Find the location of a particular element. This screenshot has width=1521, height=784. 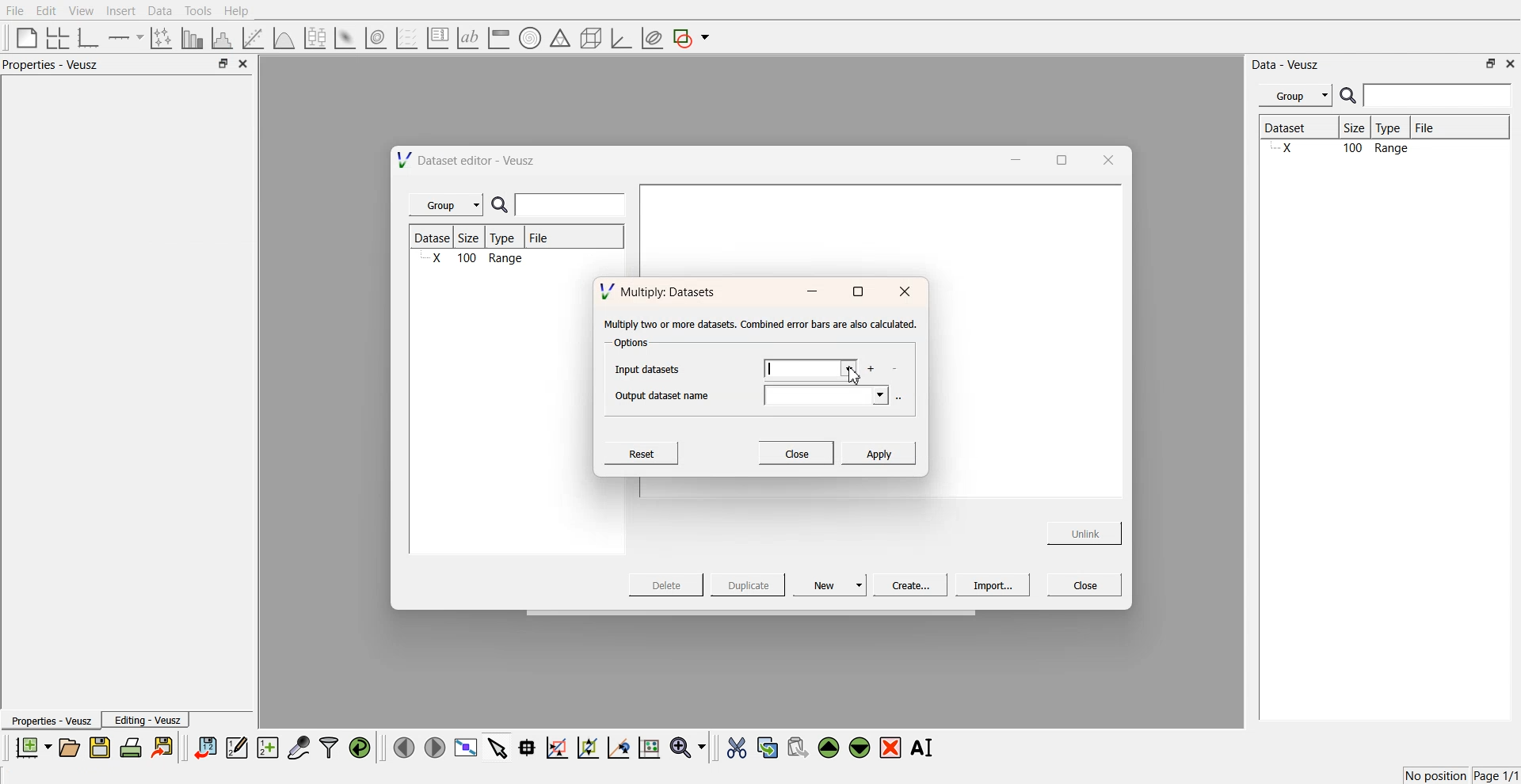

View is located at coordinates (80, 11).